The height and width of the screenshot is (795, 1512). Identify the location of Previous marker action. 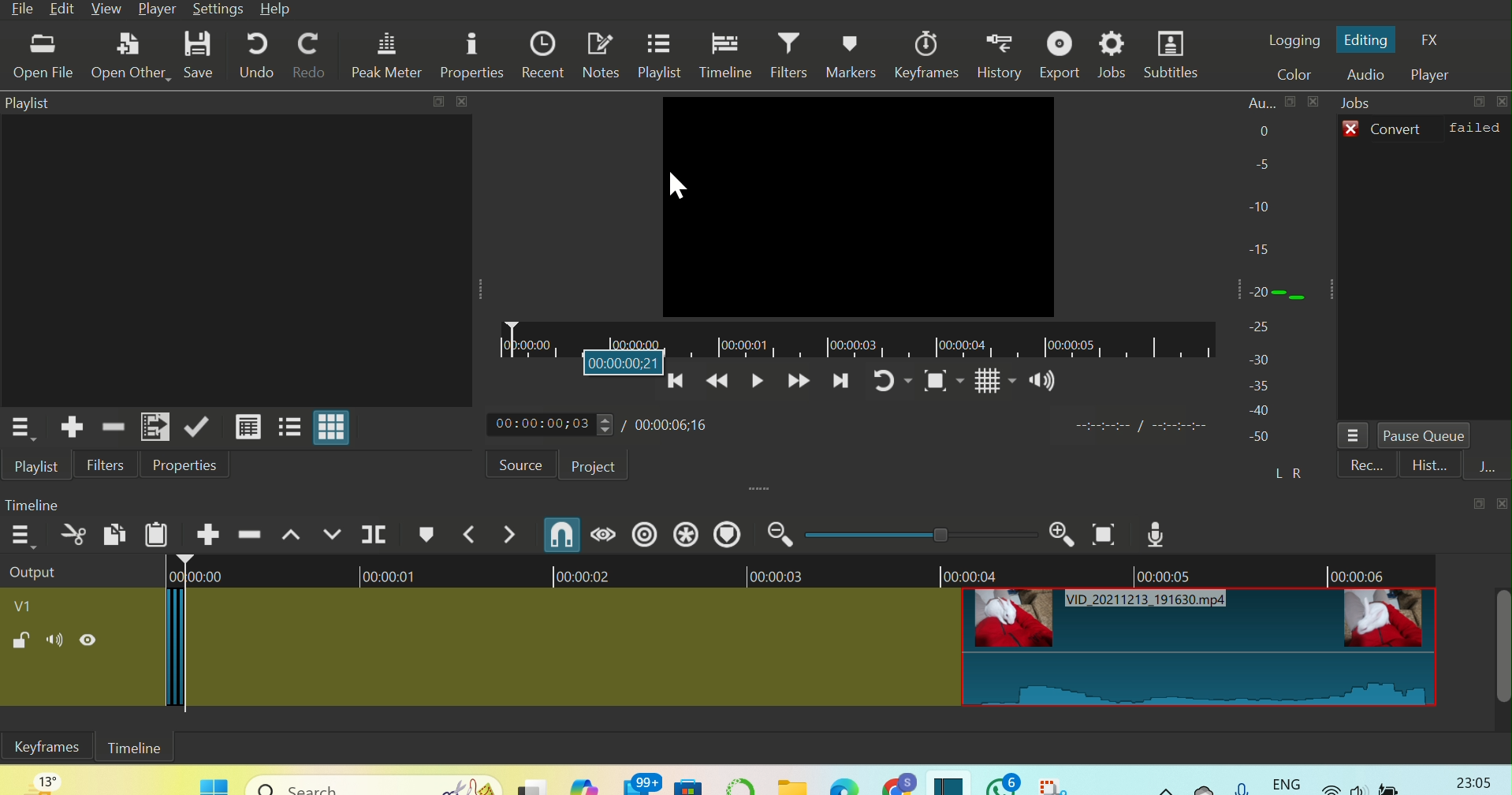
(470, 534).